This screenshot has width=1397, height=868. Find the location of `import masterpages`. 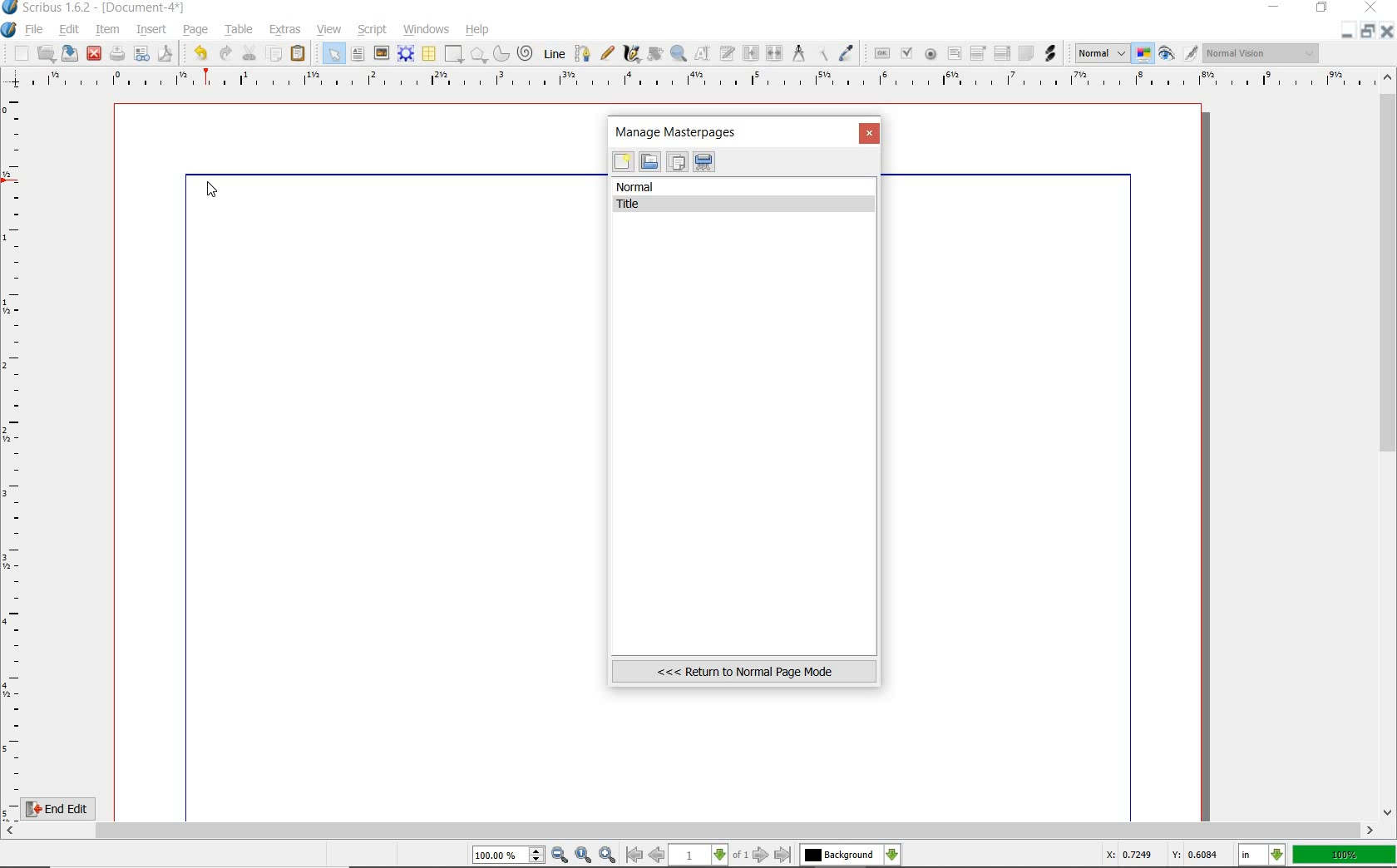

import masterpages is located at coordinates (649, 162).